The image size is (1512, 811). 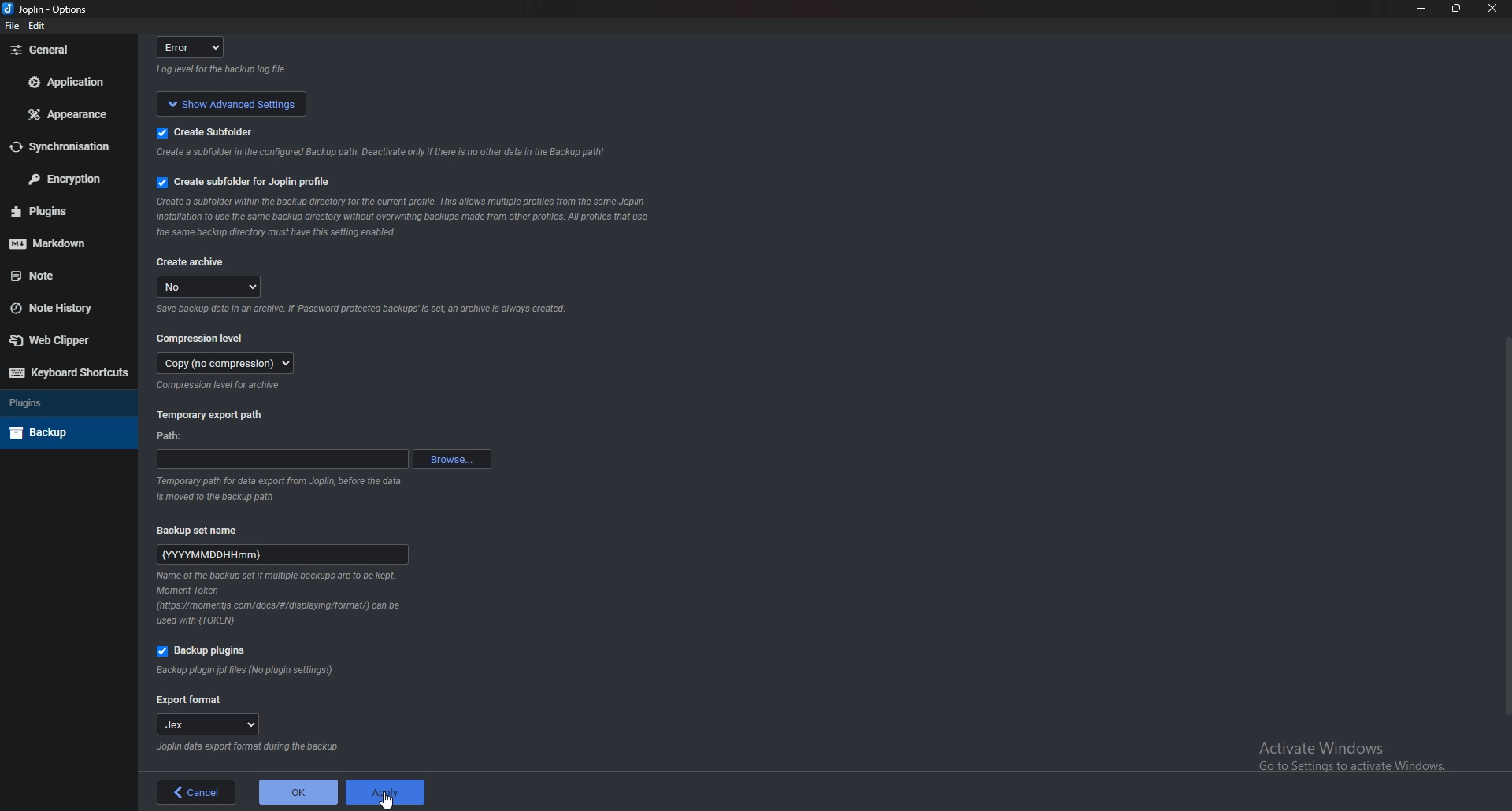 What do you see at coordinates (224, 70) in the screenshot?
I see `info` at bounding box center [224, 70].